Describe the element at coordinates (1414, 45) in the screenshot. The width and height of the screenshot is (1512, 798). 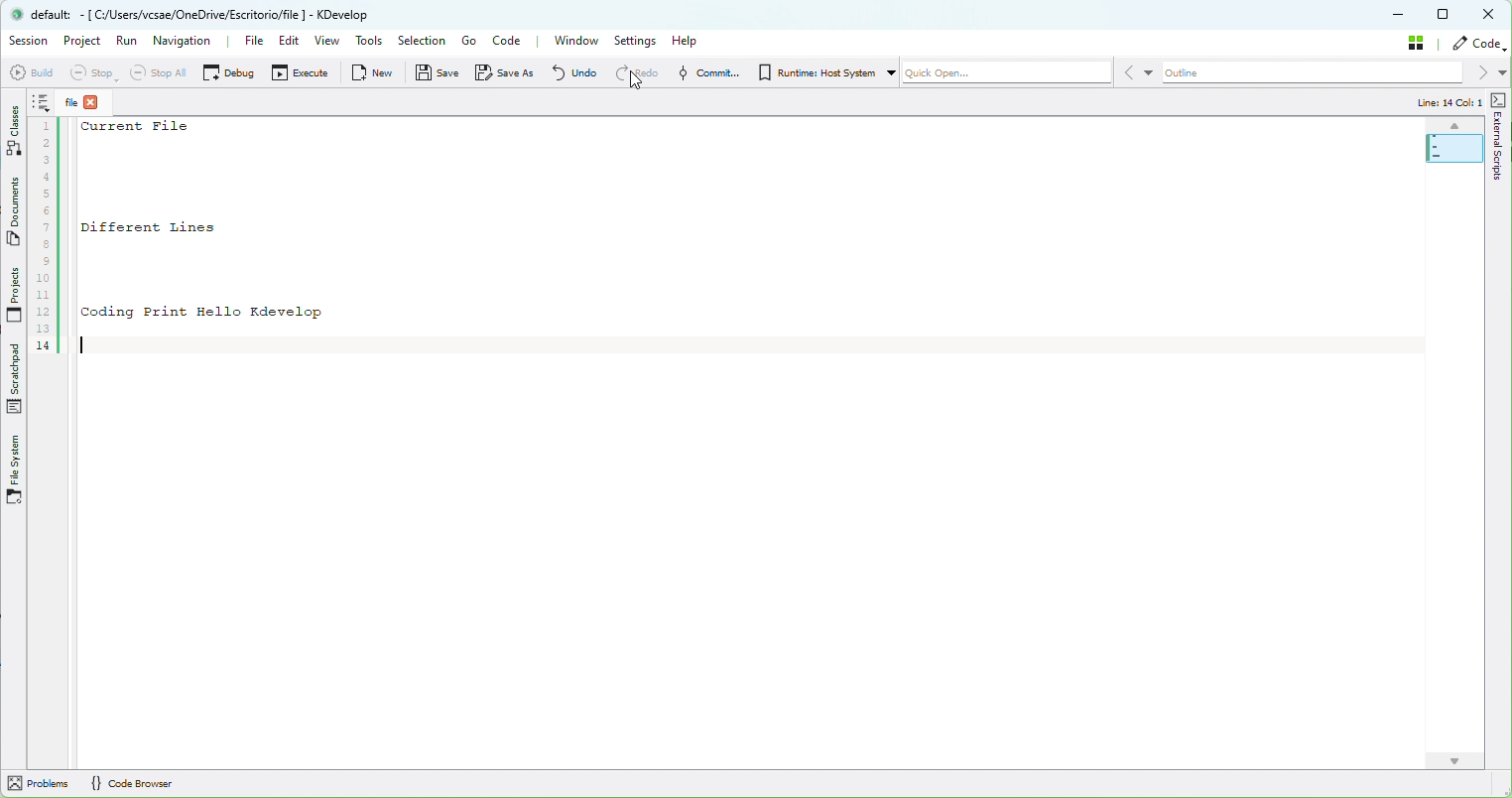
I see `Stash` at that location.